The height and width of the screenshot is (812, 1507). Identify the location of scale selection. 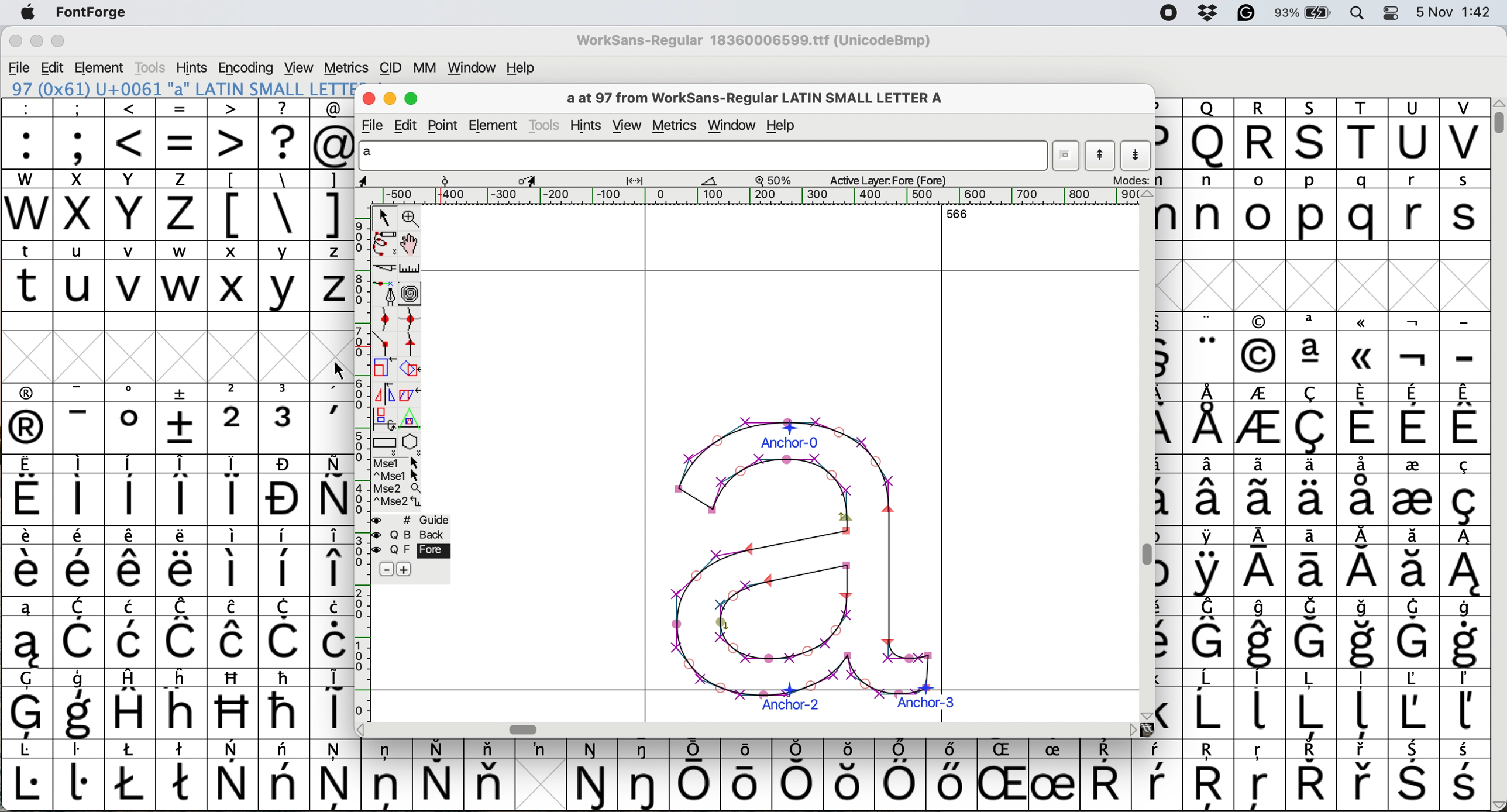
(386, 370).